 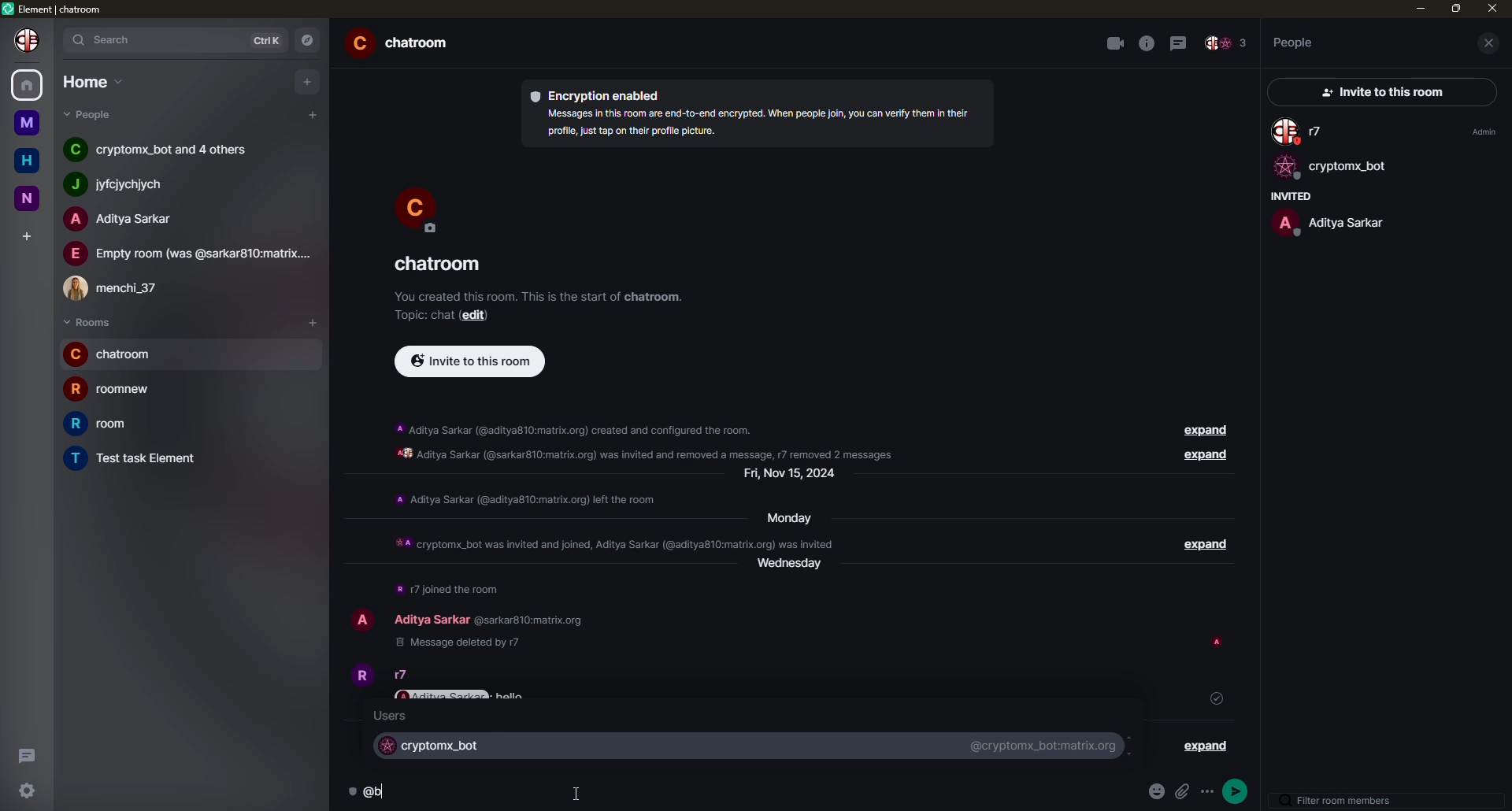 What do you see at coordinates (795, 570) in the screenshot?
I see `day` at bounding box center [795, 570].